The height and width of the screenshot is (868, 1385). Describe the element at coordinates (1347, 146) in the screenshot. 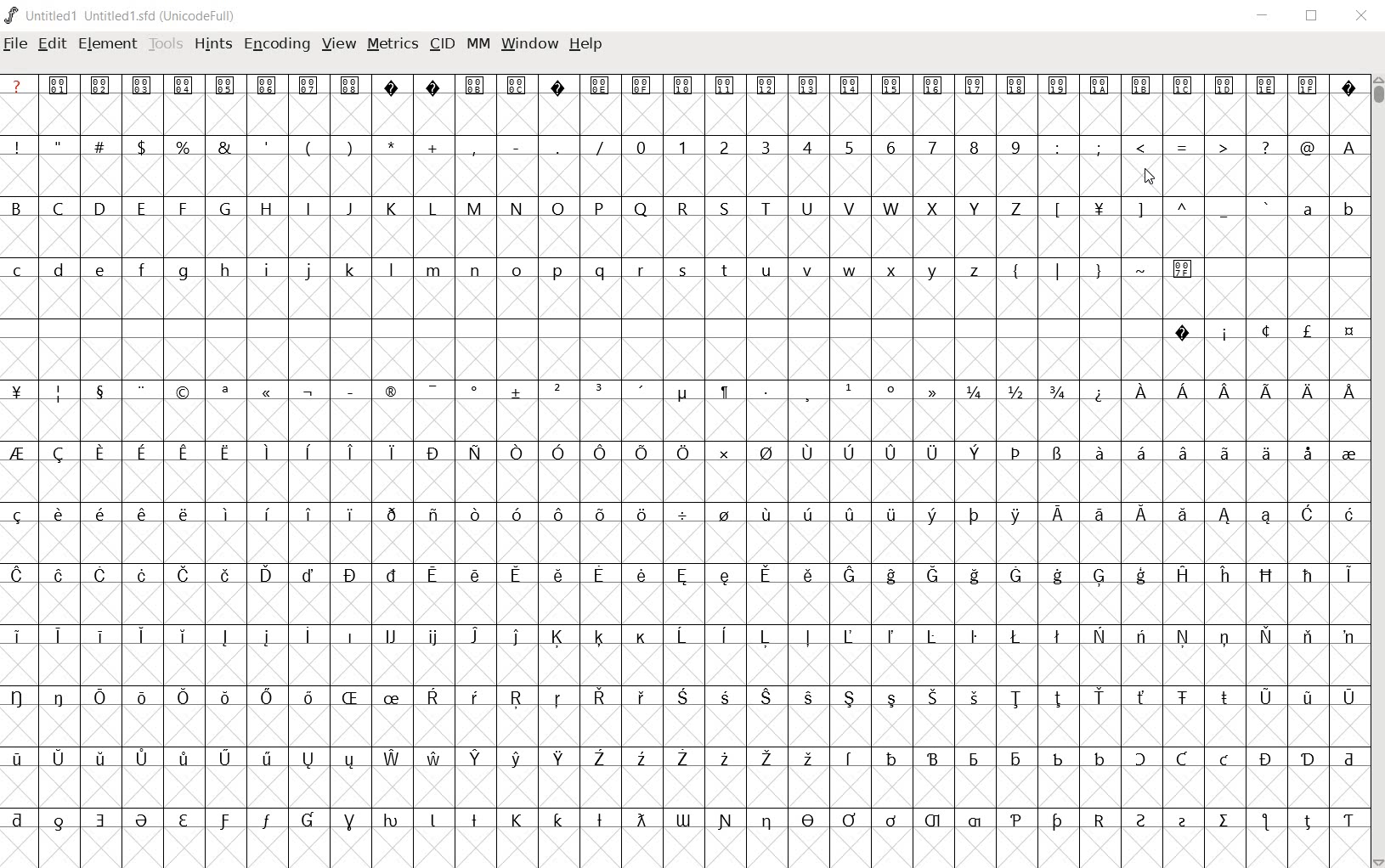

I see `` at that location.